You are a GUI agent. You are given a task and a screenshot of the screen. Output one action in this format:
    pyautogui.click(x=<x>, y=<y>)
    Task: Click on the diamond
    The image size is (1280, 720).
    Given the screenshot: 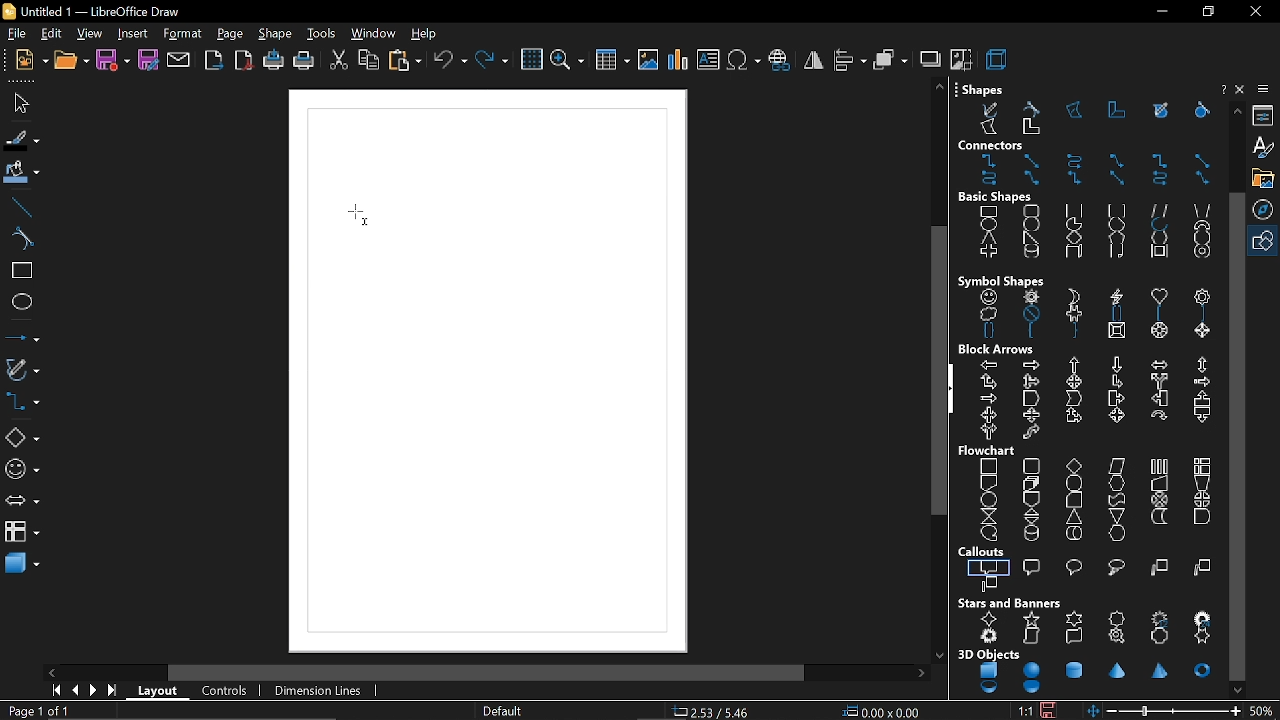 What is the action you would take?
    pyautogui.click(x=1076, y=238)
    